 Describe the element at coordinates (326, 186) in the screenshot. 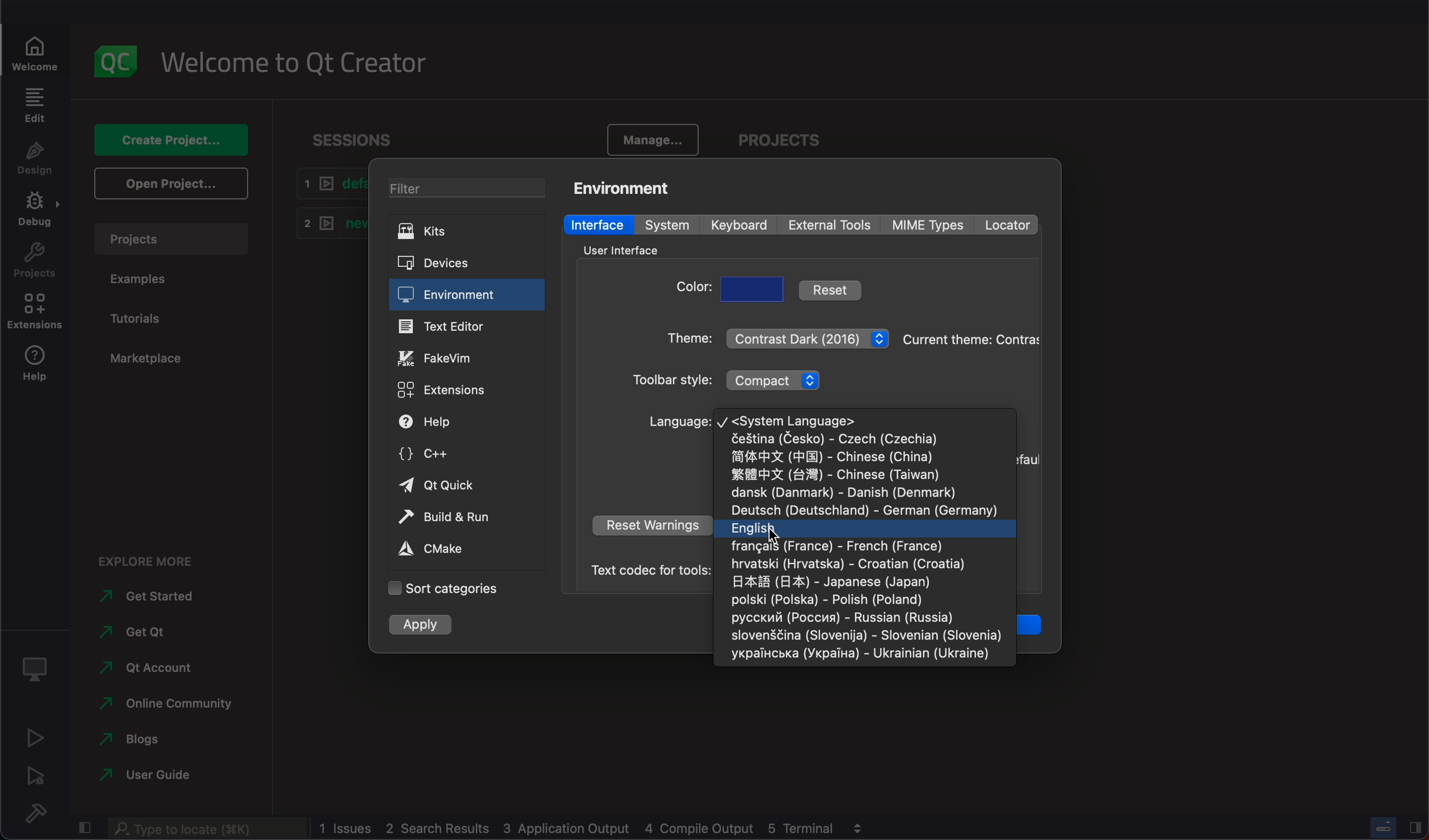

I see `default` at that location.